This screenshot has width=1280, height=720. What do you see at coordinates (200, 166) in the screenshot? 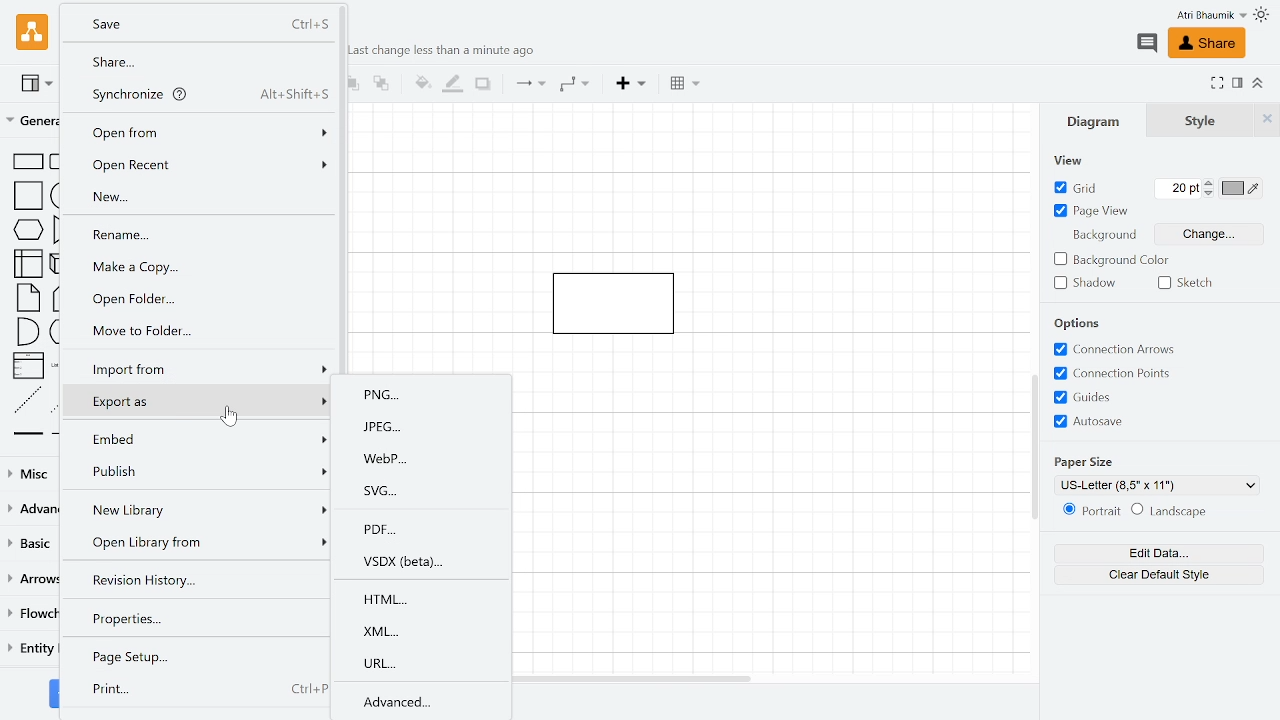
I see `Open recent` at bounding box center [200, 166].